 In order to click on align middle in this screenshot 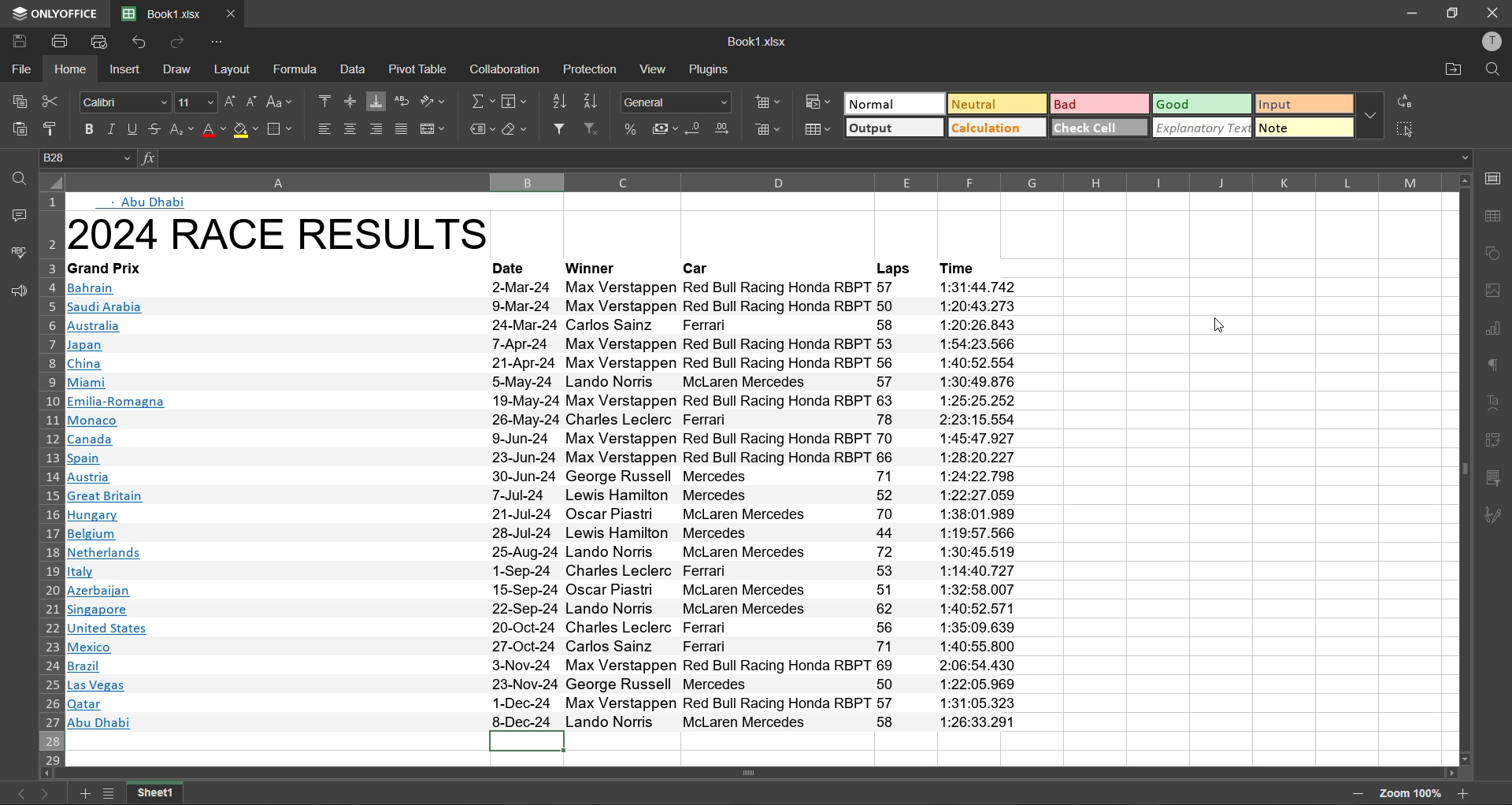, I will do `click(354, 102)`.